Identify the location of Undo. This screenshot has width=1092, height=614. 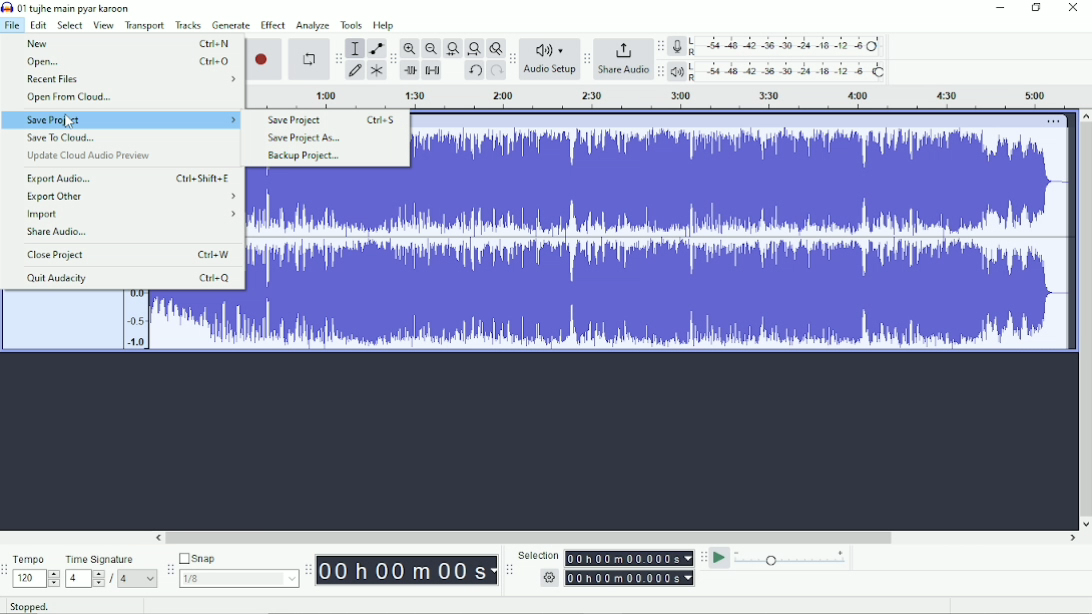
(475, 71).